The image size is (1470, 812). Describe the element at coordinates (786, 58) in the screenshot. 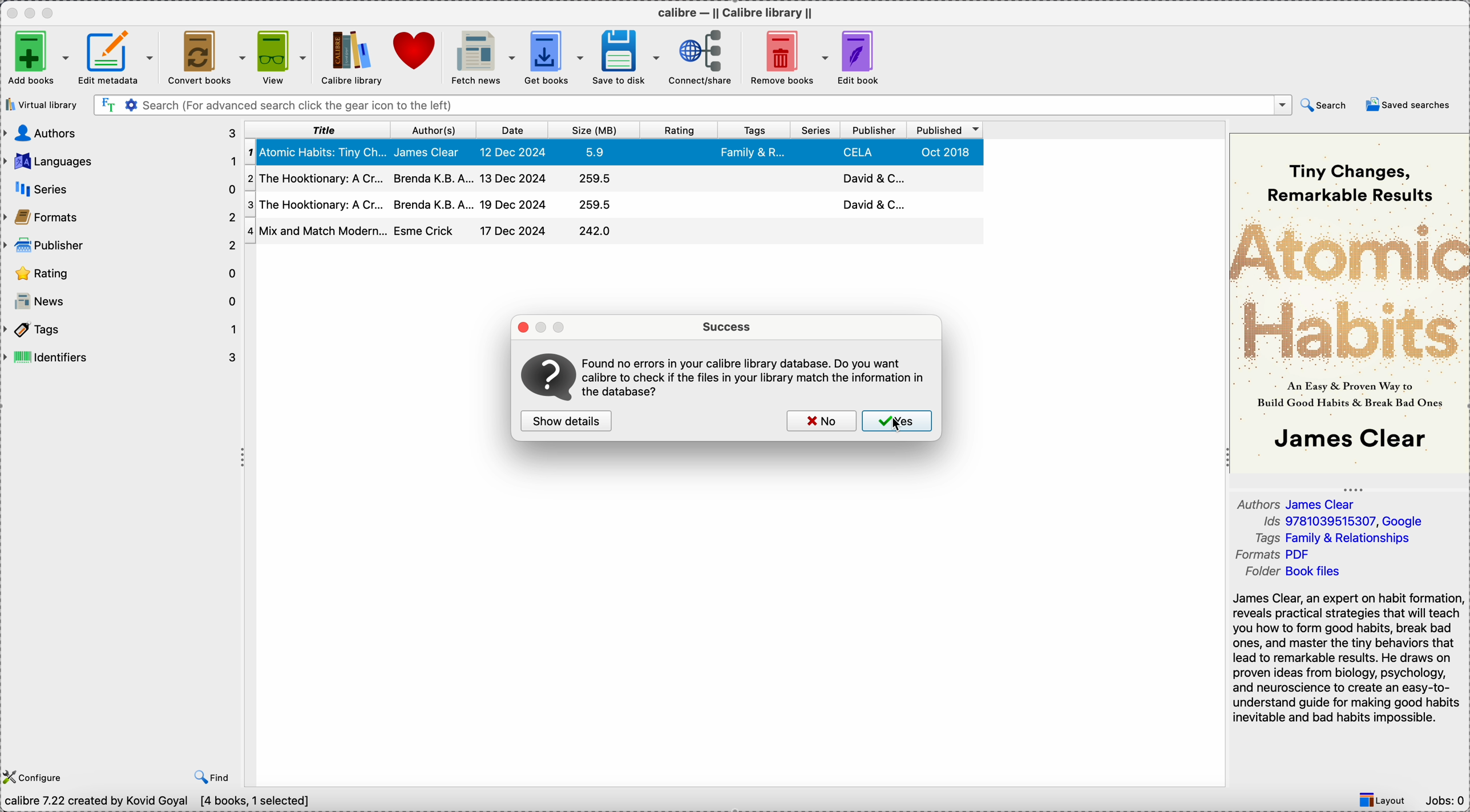

I see `remove books` at that location.